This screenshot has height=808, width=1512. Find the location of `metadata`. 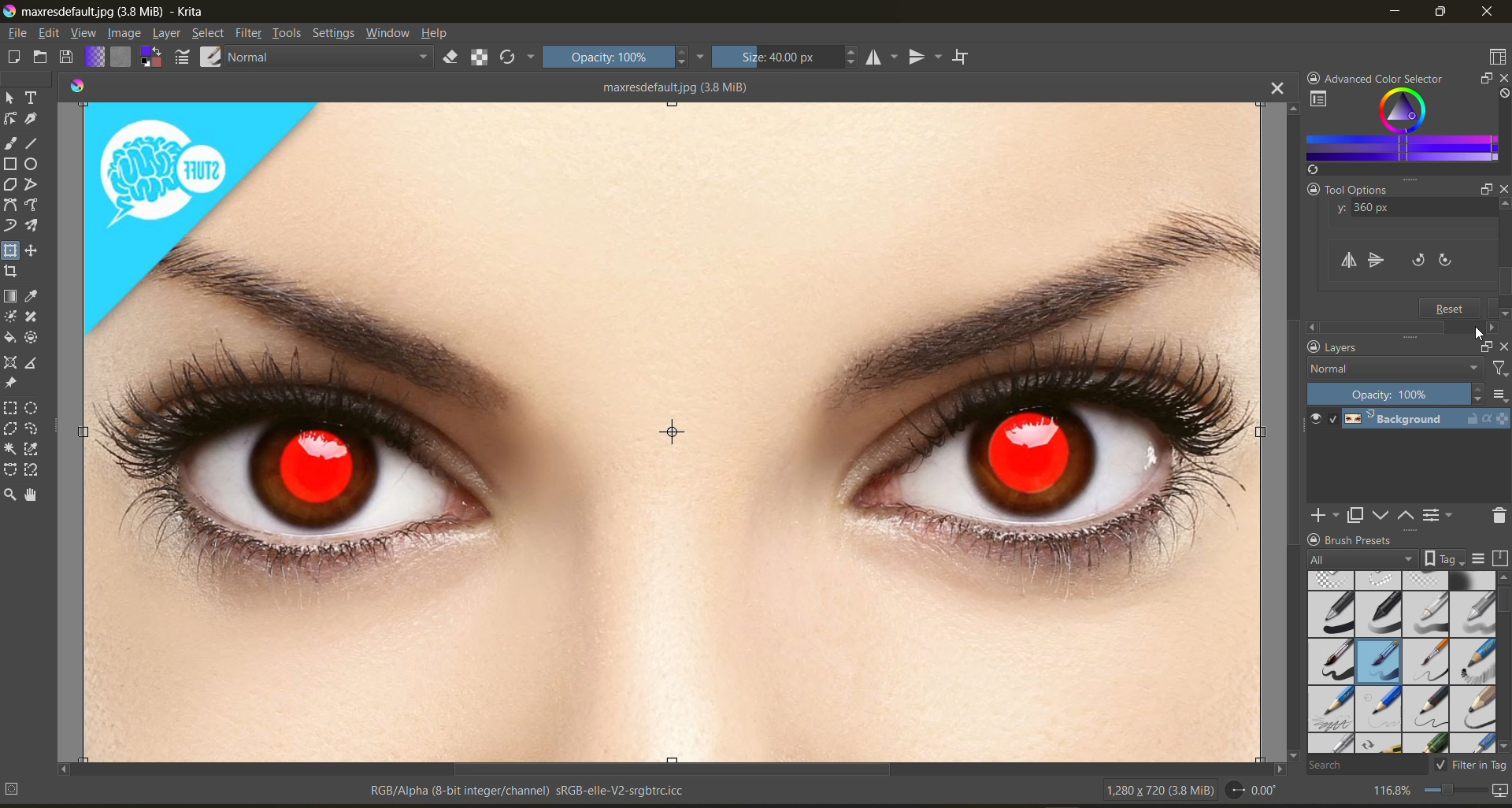

metadata is located at coordinates (349, 790).